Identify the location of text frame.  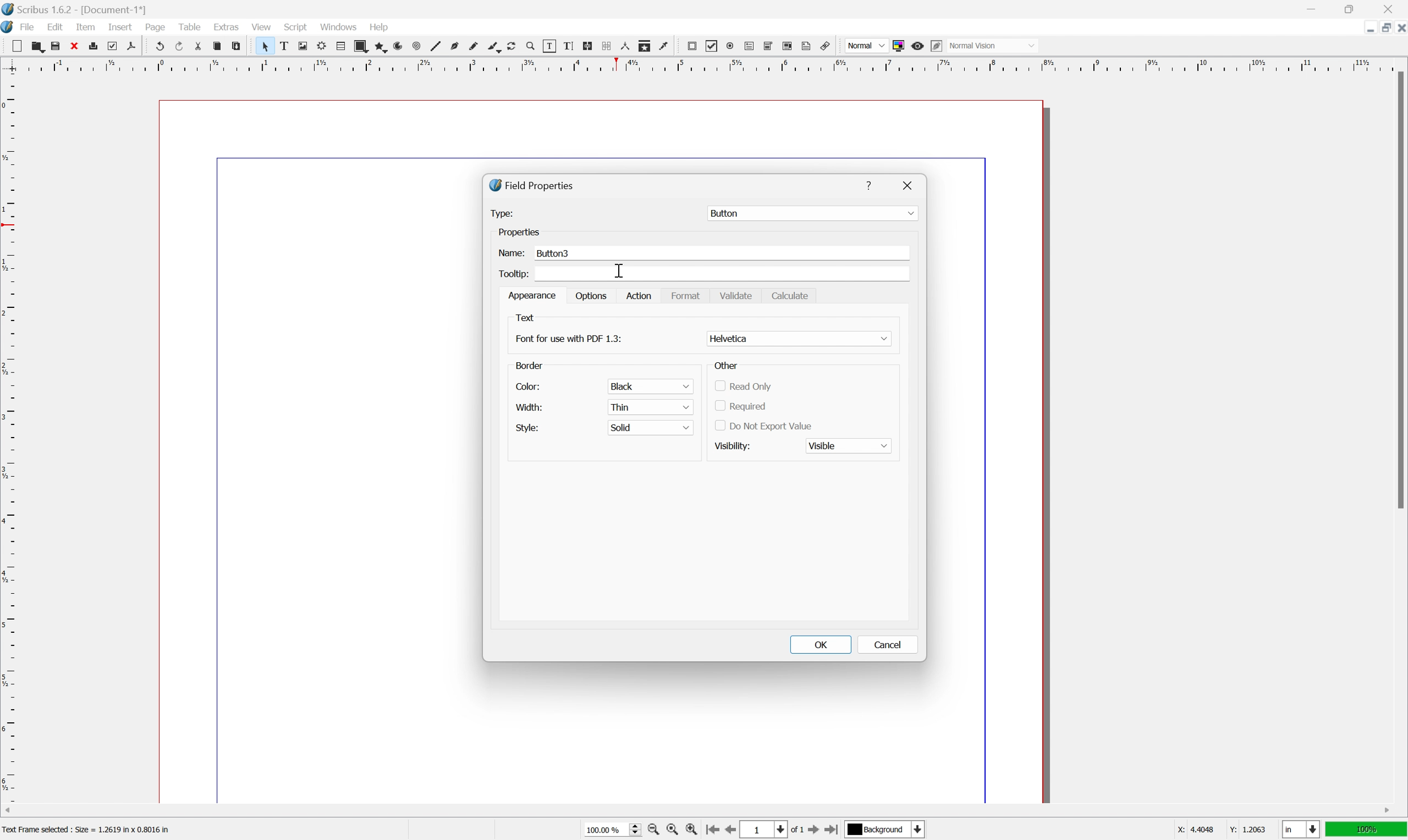
(284, 47).